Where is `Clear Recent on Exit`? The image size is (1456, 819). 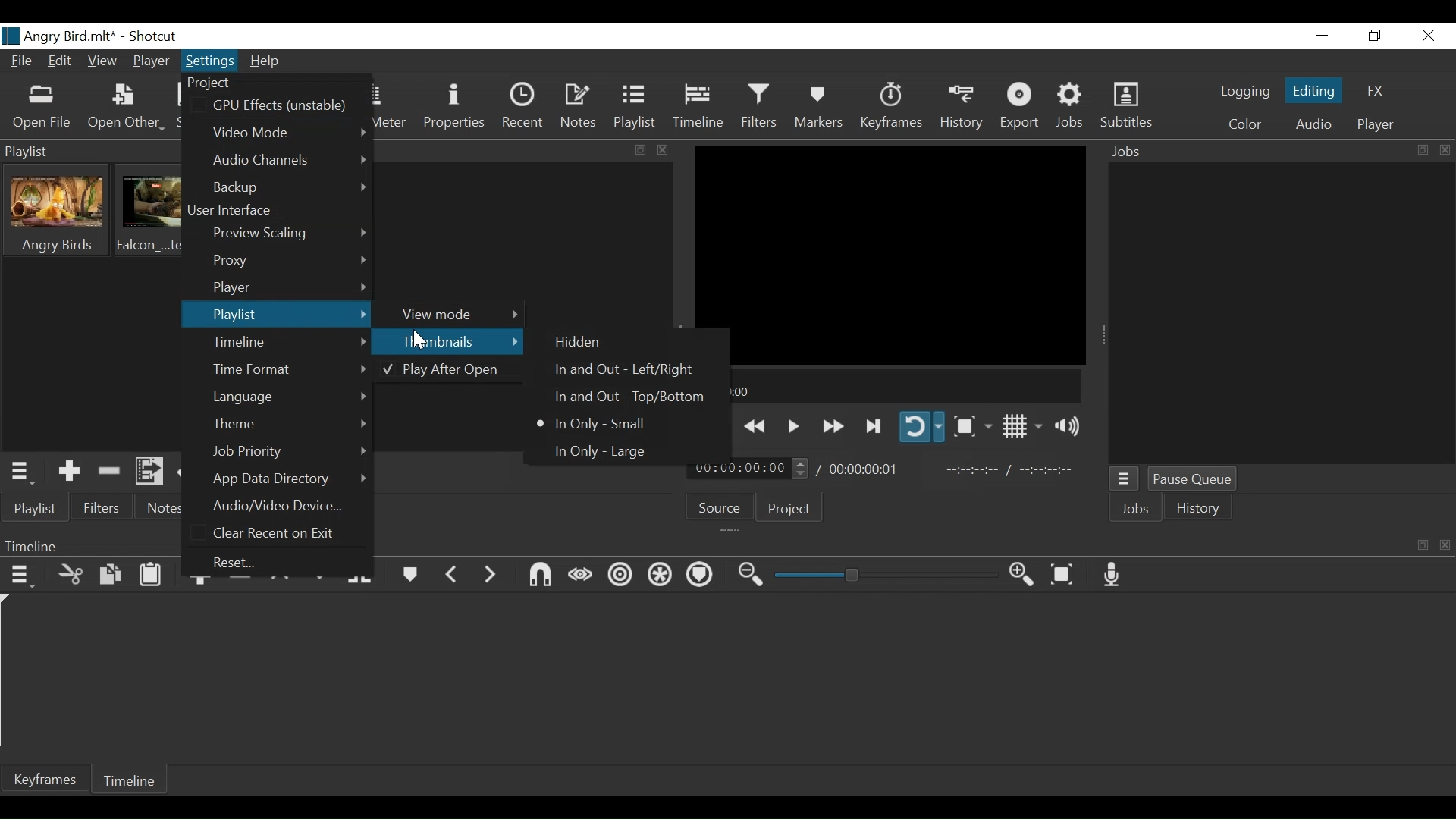
Clear Recent on Exit is located at coordinates (280, 533).